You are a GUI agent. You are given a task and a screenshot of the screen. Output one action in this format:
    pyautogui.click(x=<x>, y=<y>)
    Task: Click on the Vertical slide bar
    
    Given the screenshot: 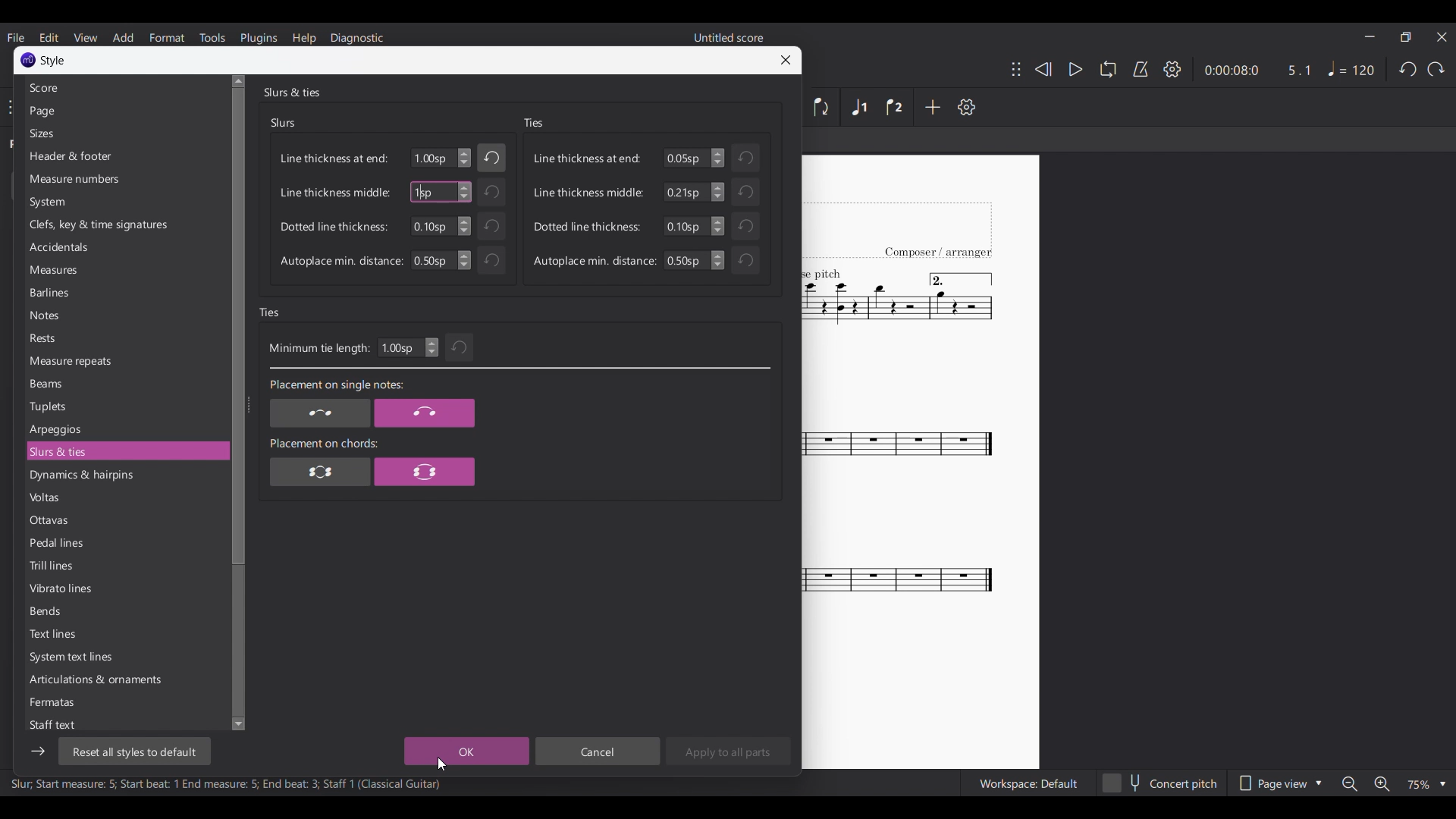 What is the action you would take?
    pyautogui.click(x=235, y=403)
    